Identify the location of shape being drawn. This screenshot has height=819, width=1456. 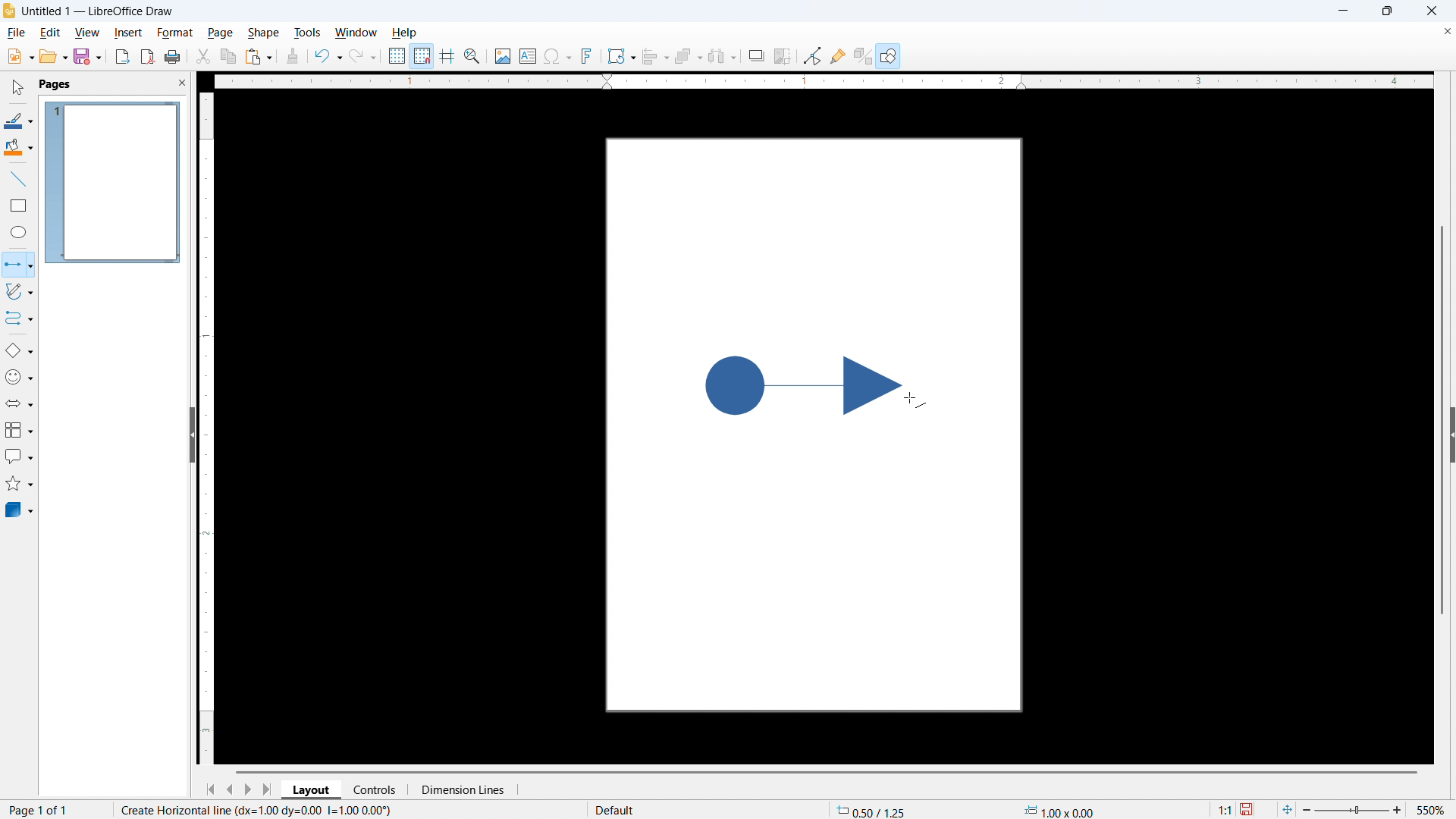
(817, 385).